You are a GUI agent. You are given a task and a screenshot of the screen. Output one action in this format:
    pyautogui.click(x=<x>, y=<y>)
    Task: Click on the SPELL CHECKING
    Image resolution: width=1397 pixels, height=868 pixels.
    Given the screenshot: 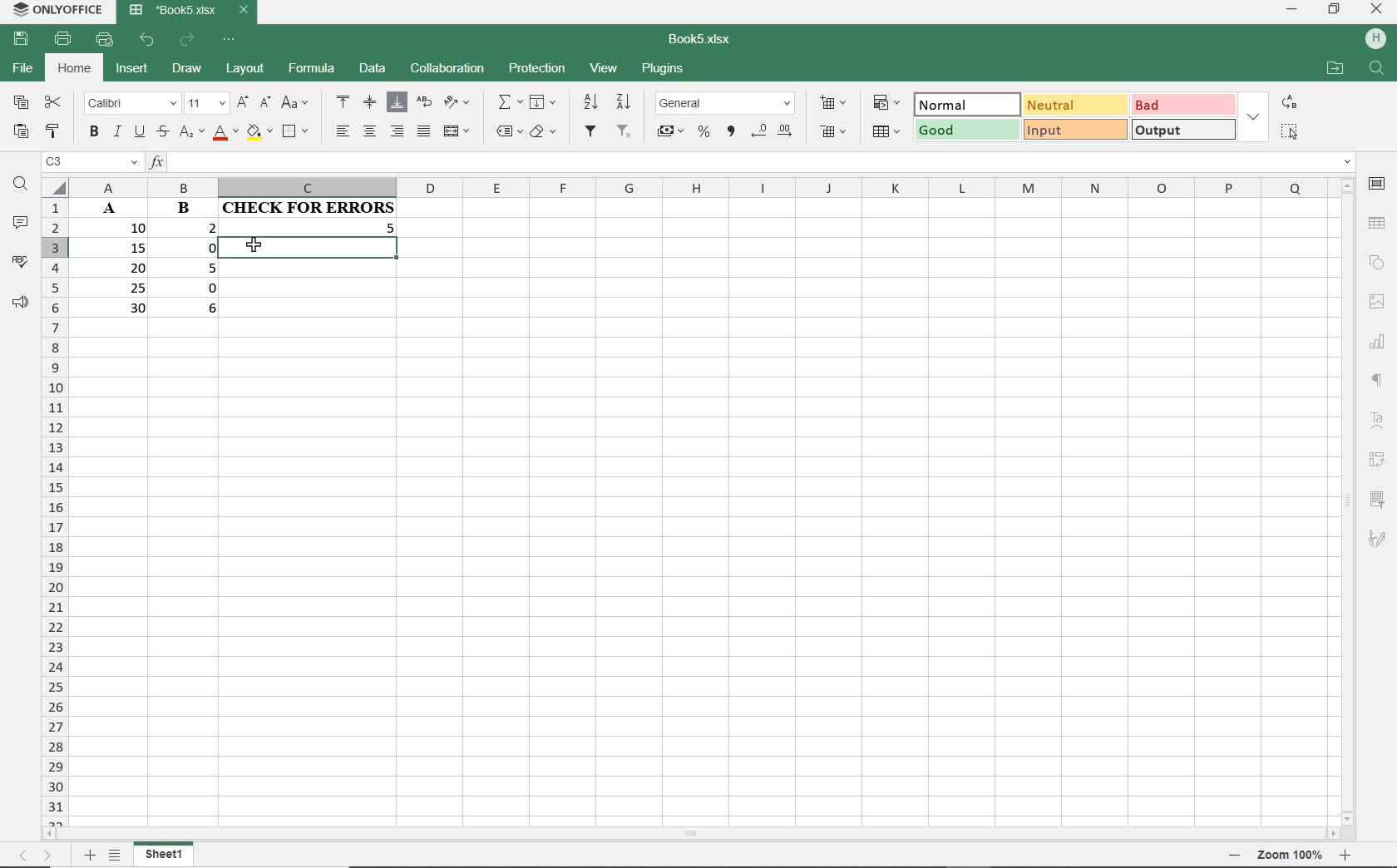 What is the action you would take?
    pyautogui.click(x=19, y=259)
    